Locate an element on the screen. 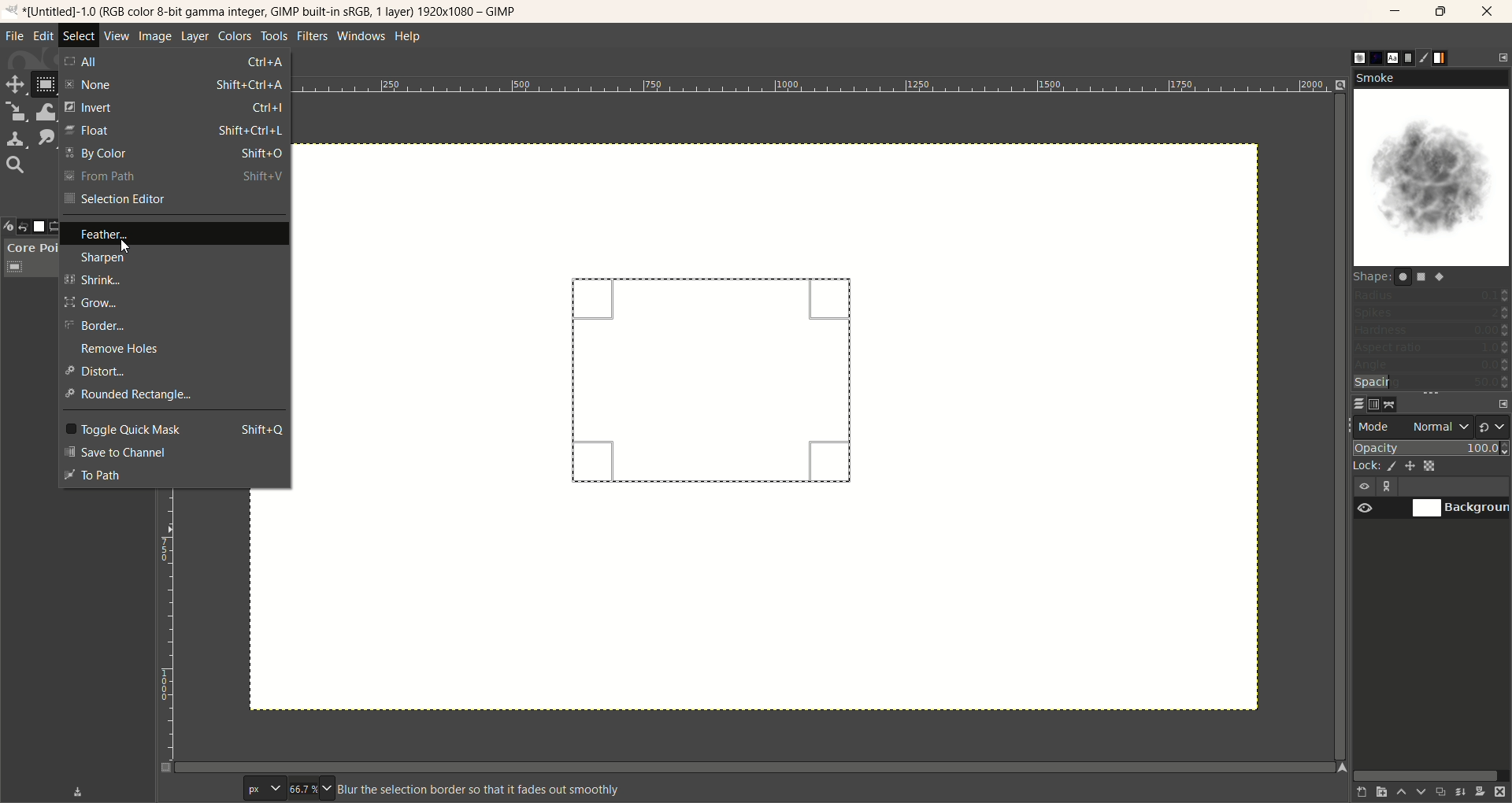 The image size is (1512, 803). shapes is located at coordinates (1430, 278).